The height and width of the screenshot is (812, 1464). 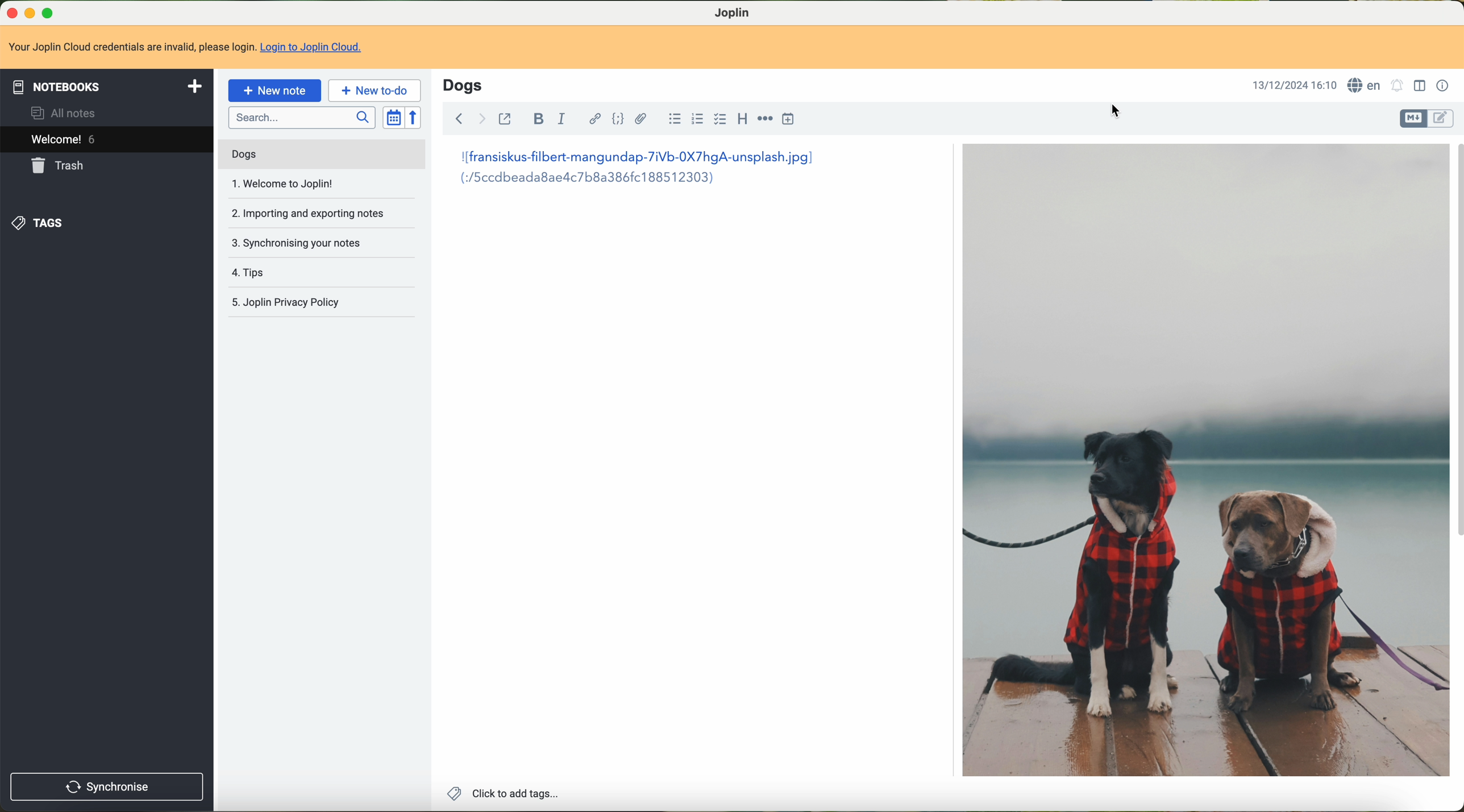 I want to click on synchronise, so click(x=107, y=787).